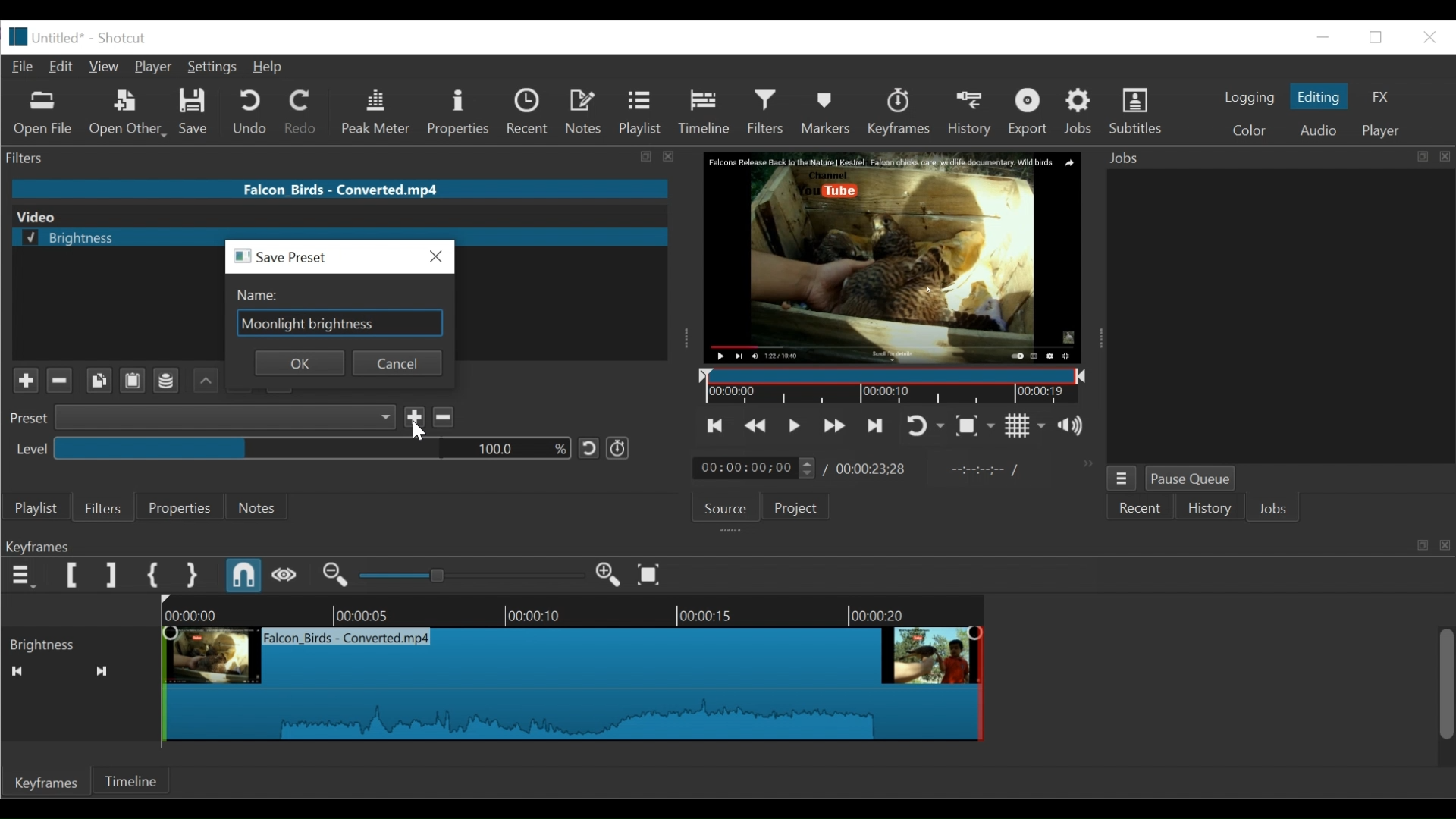  I want to click on Skip to the previous point, so click(716, 425).